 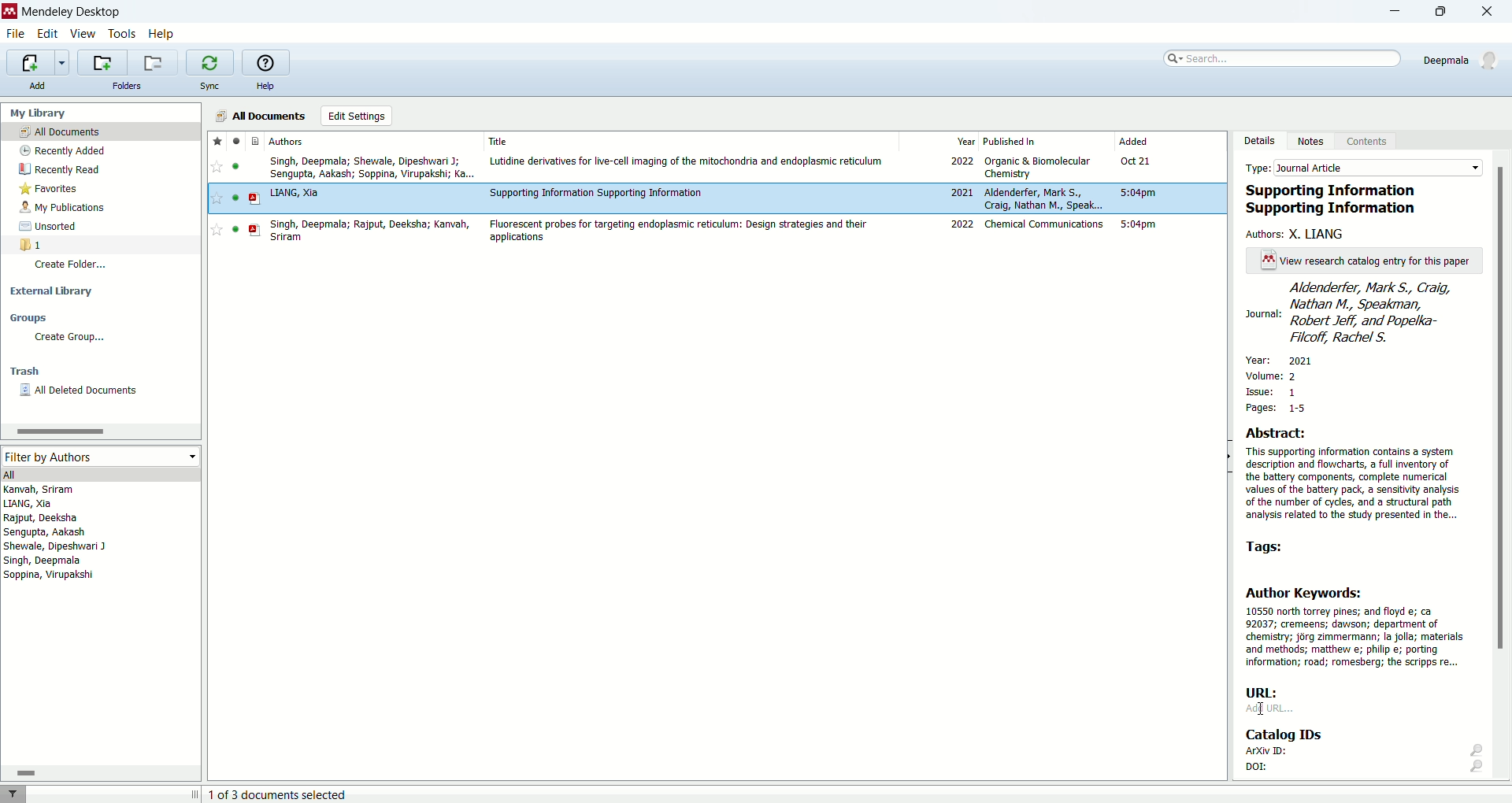 I want to click on unread, so click(x=235, y=198).